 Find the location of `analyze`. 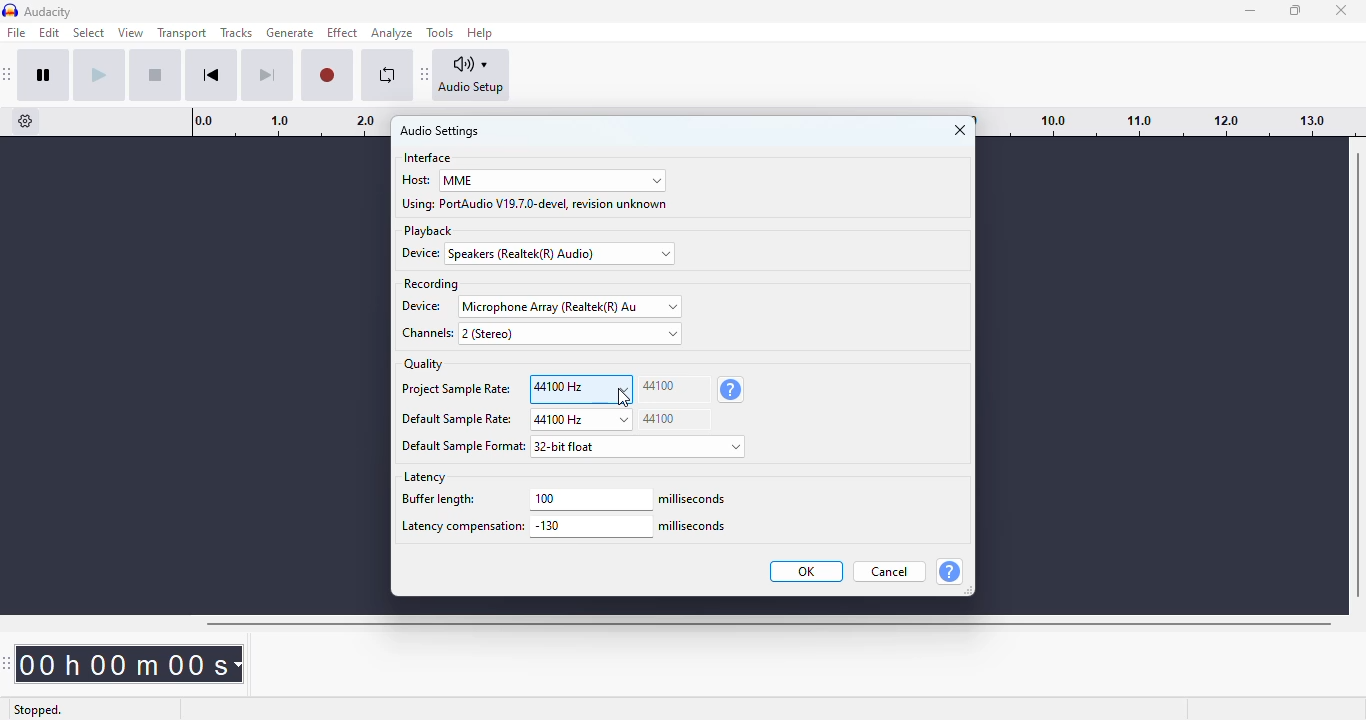

analyze is located at coordinates (392, 33).